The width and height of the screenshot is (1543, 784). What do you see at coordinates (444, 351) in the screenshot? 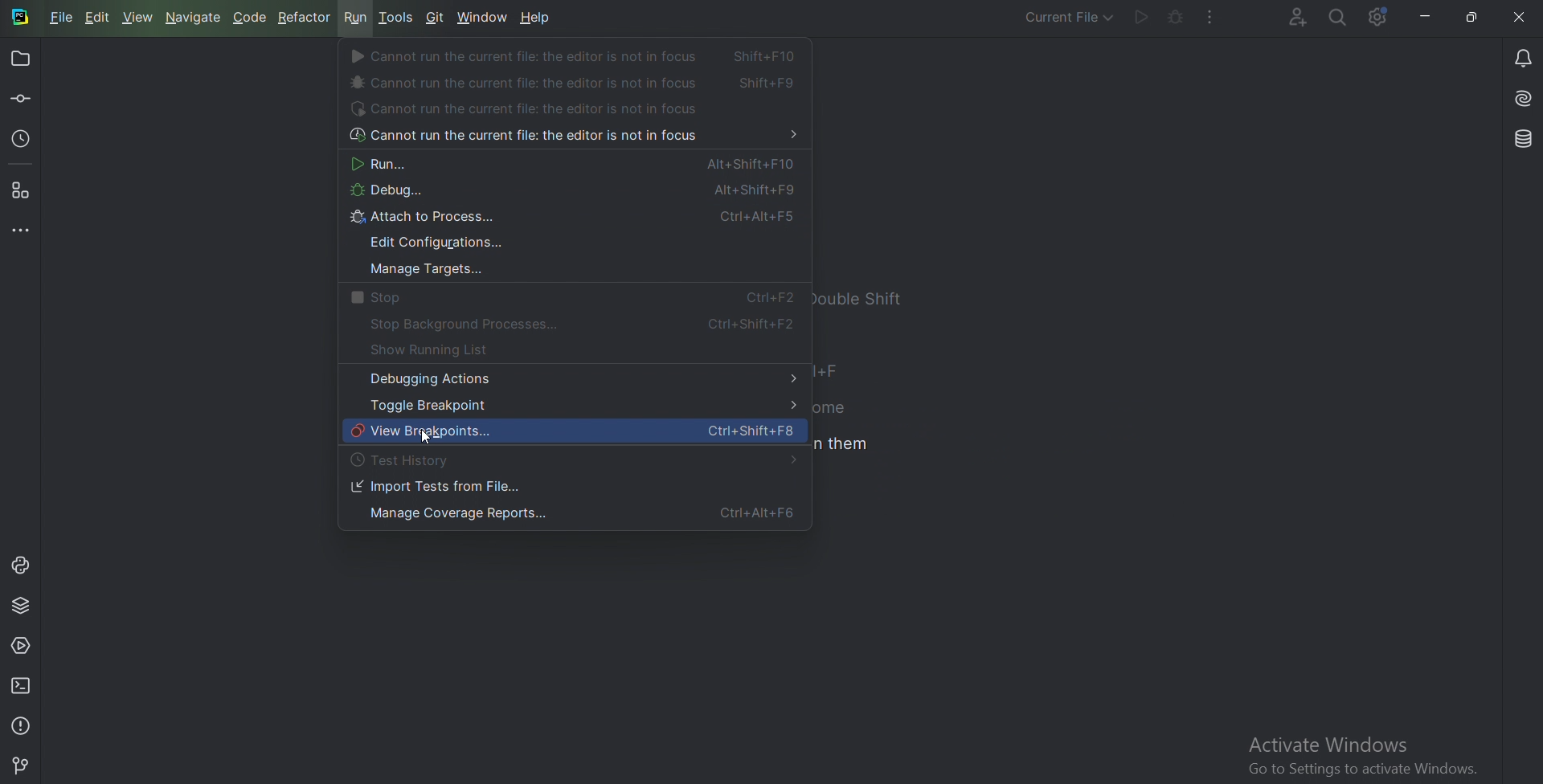
I see `Show running list` at bounding box center [444, 351].